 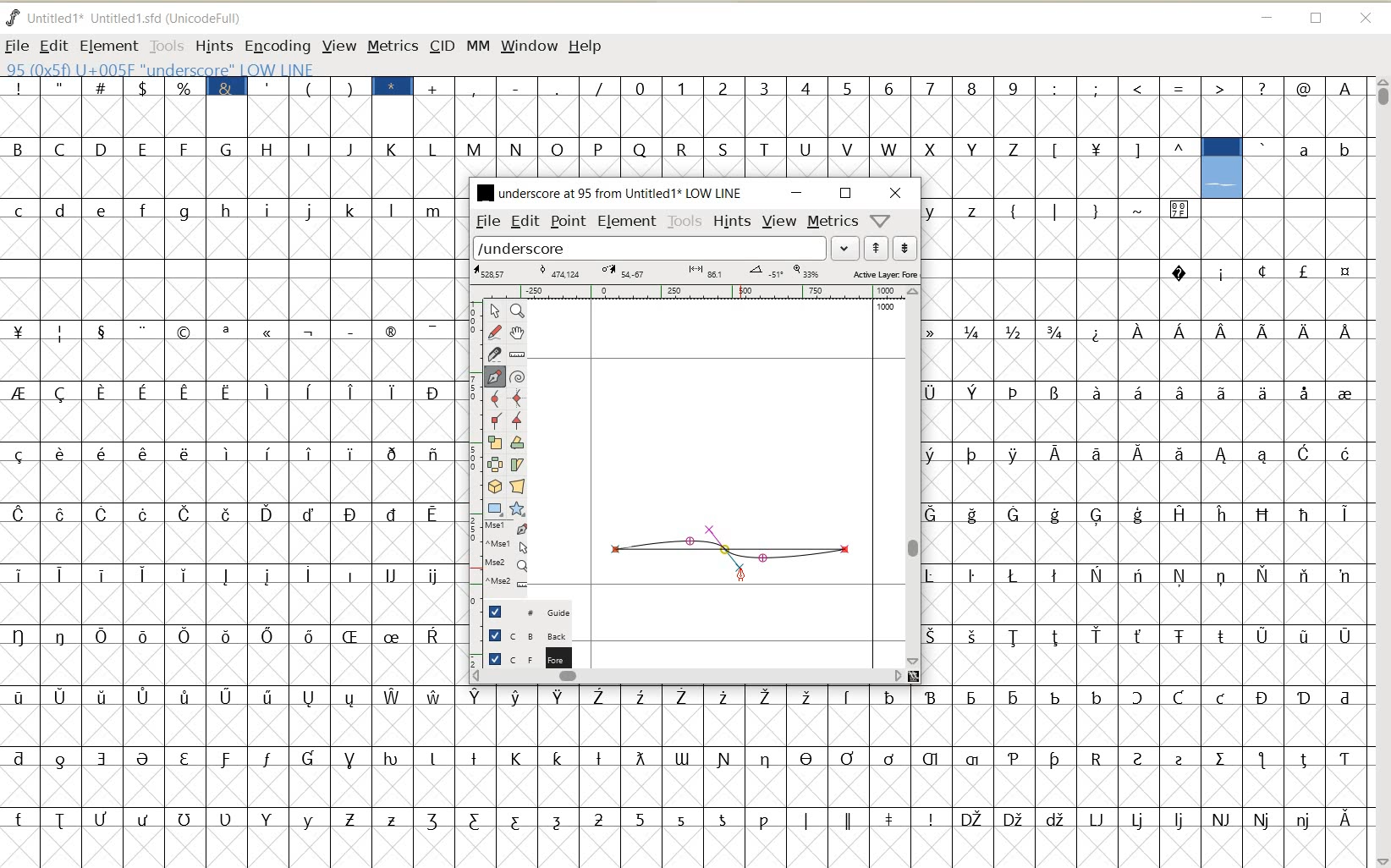 I want to click on an underscore with a unique twist creation, so click(x=731, y=547).